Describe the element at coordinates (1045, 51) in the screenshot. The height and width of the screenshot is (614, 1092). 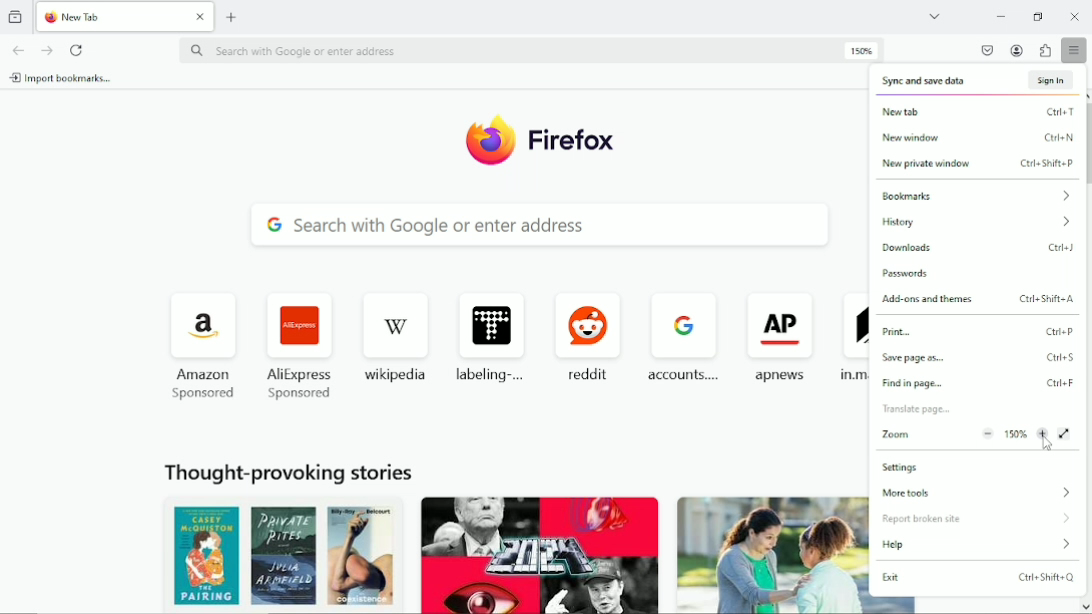
I see `extensions` at that location.